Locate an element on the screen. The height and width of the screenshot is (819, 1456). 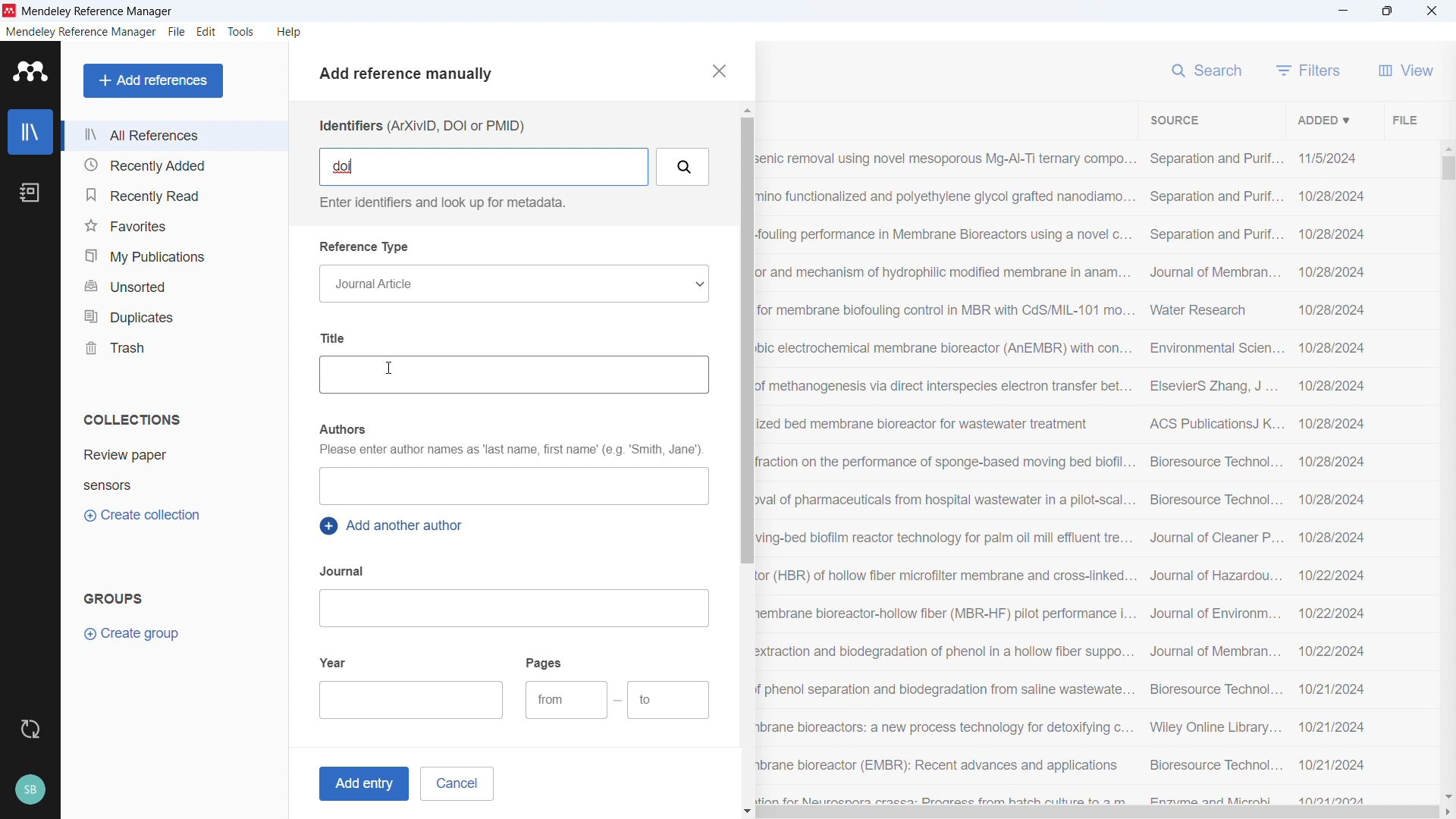
Title is located at coordinates (336, 337).